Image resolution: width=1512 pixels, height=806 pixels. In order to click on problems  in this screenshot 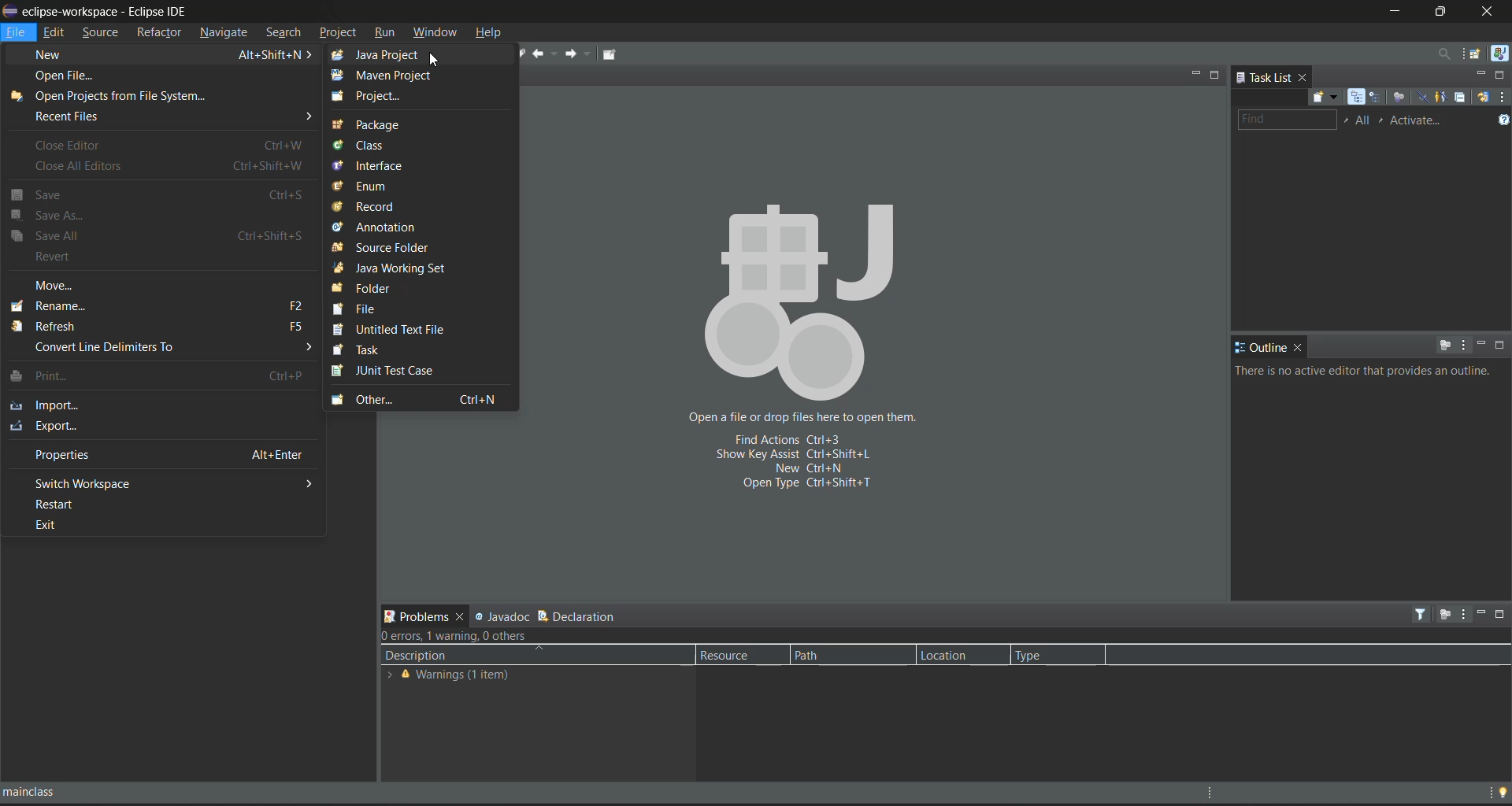, I will do `click(409, 616)`.